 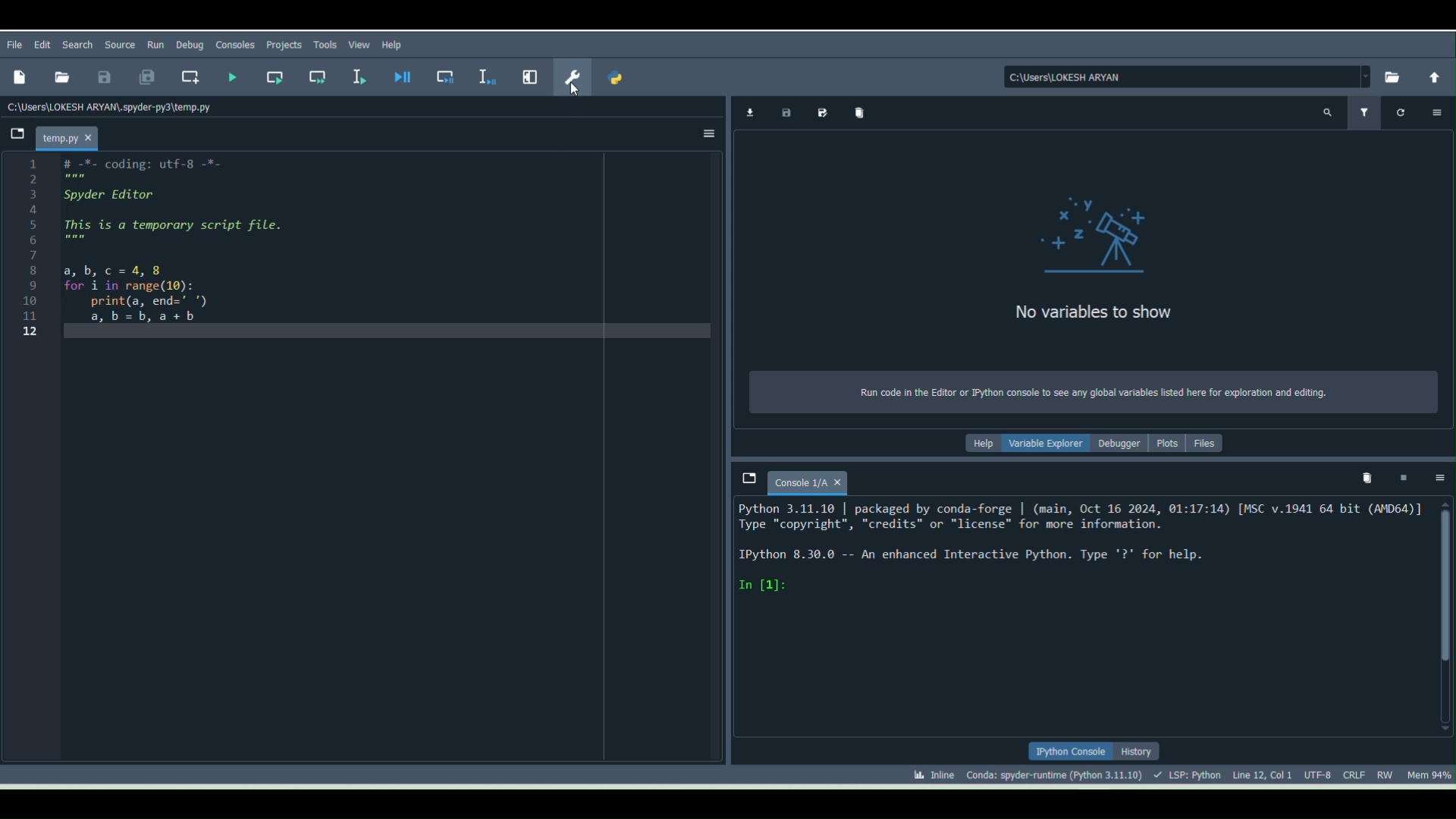 I want to click on Interrupt kernel, so click(x=1403, y=472).